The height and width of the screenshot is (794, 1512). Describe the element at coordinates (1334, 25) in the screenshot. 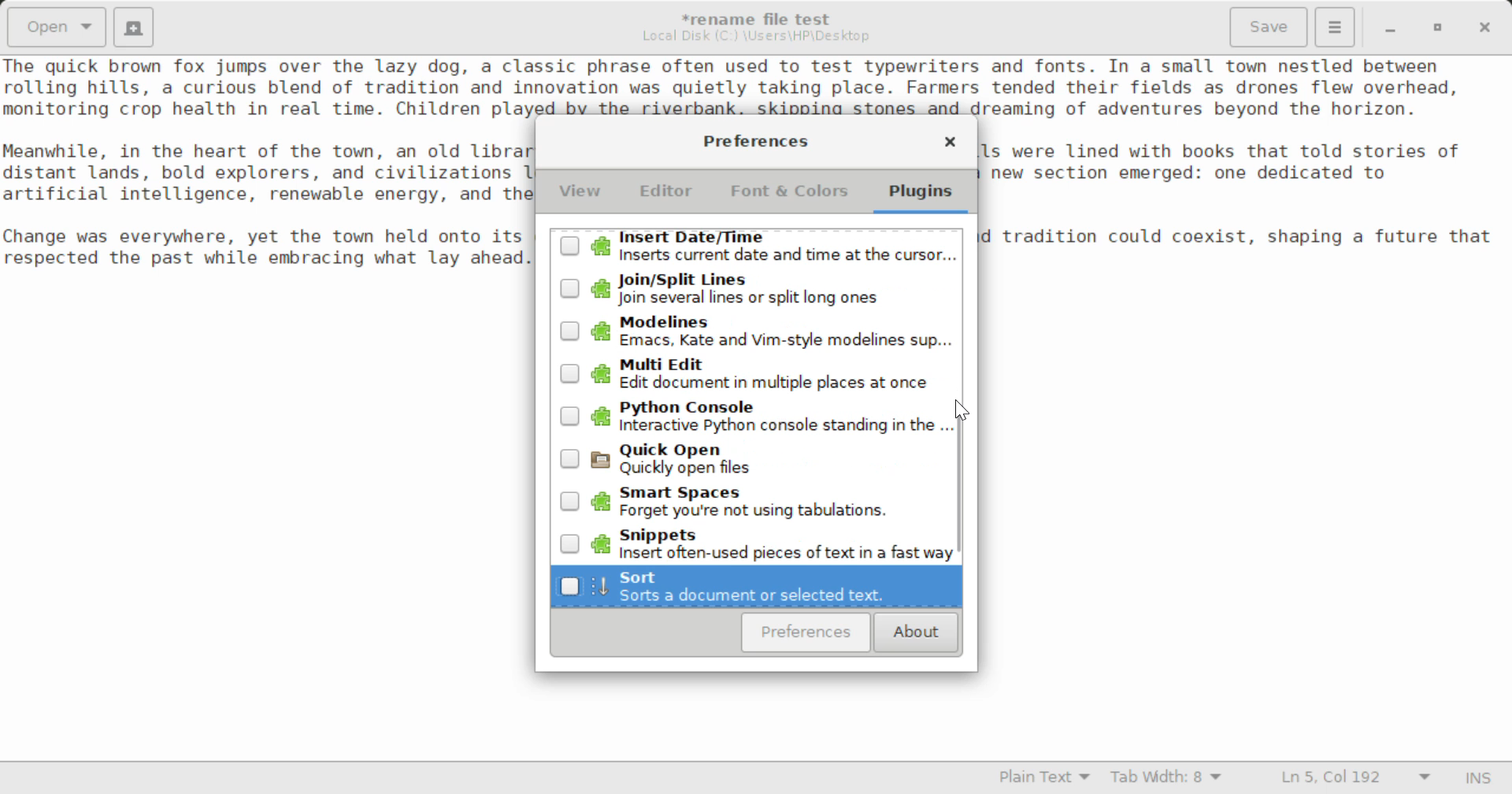

I see `Menu` at that location.